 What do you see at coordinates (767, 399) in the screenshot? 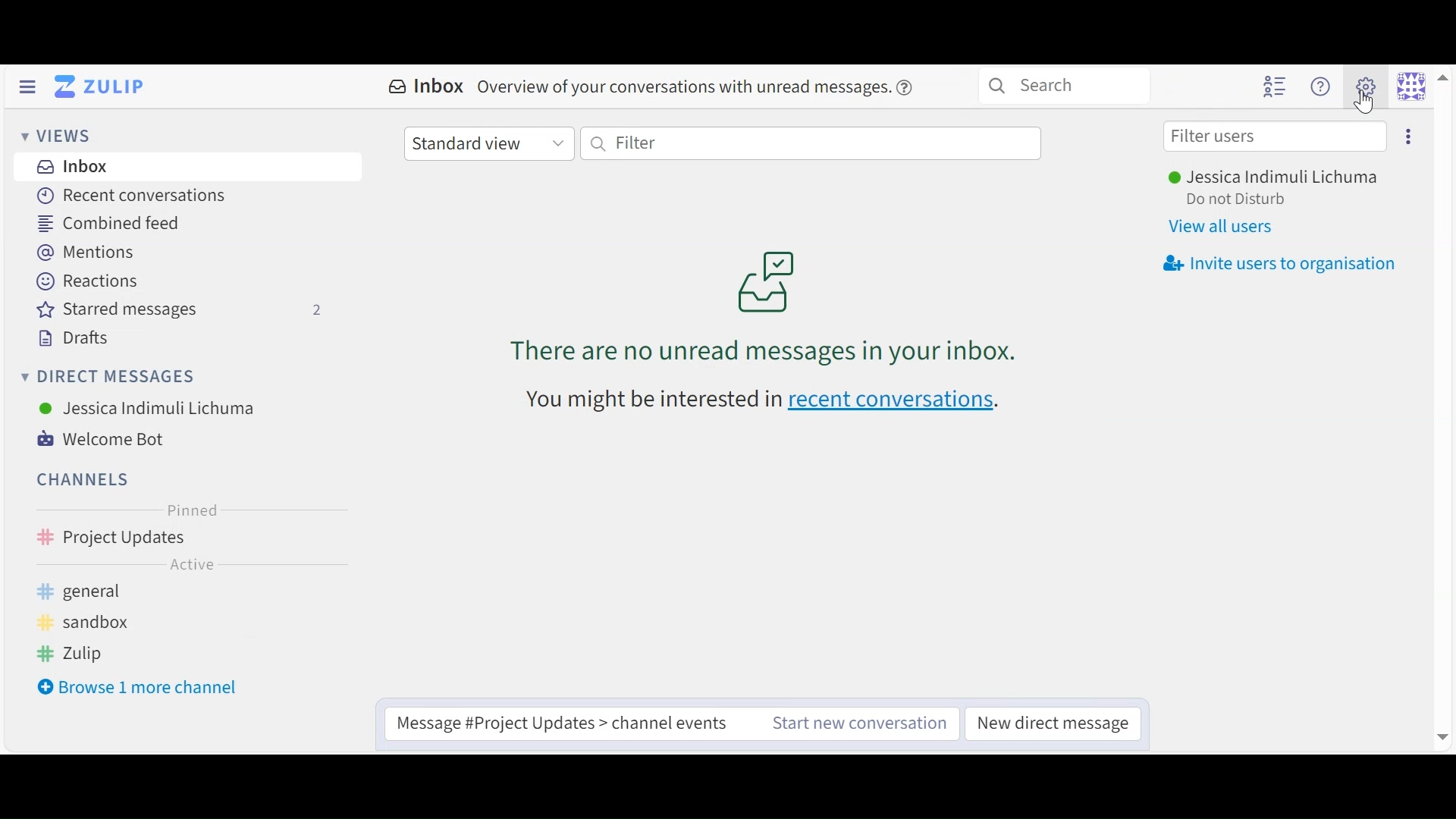
I see `recent conversations` at bounding box center [767, 399].